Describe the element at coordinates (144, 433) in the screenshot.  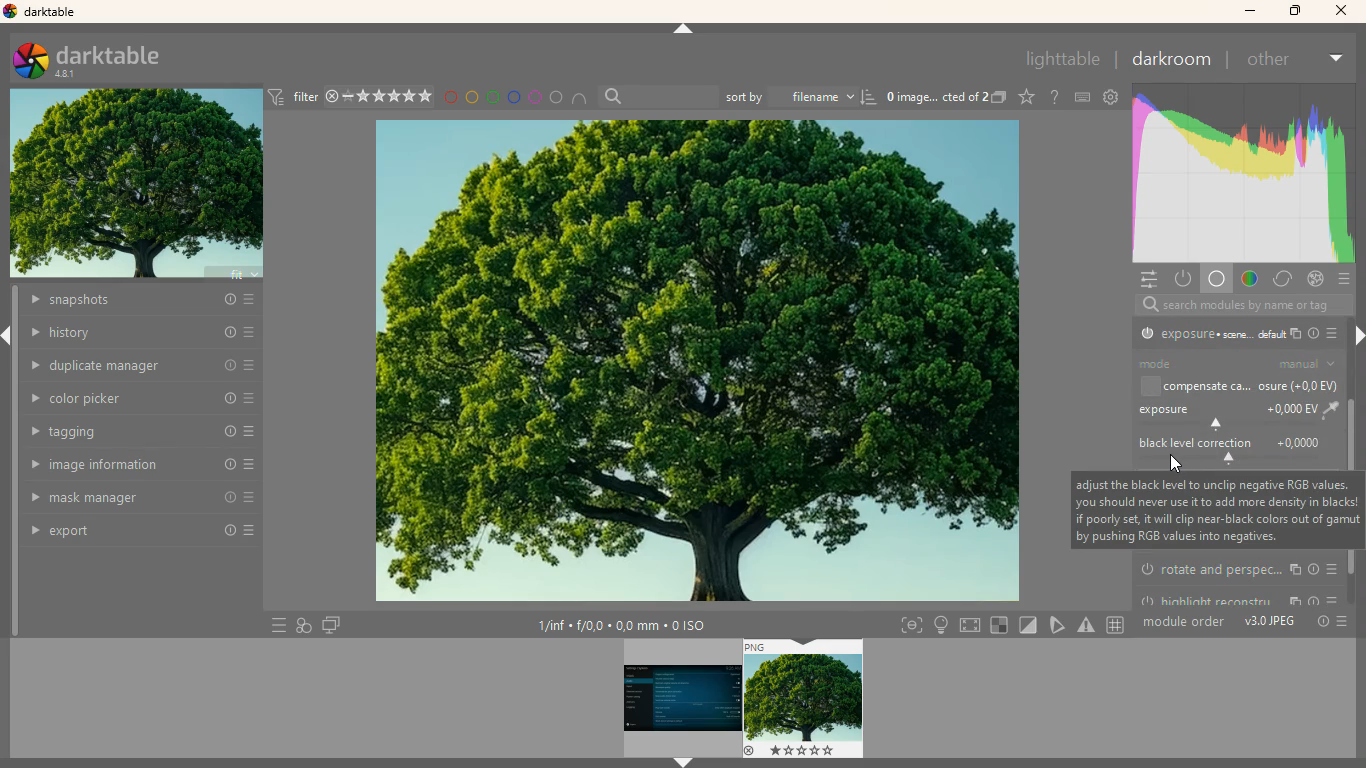
I see `tagging` at that location.